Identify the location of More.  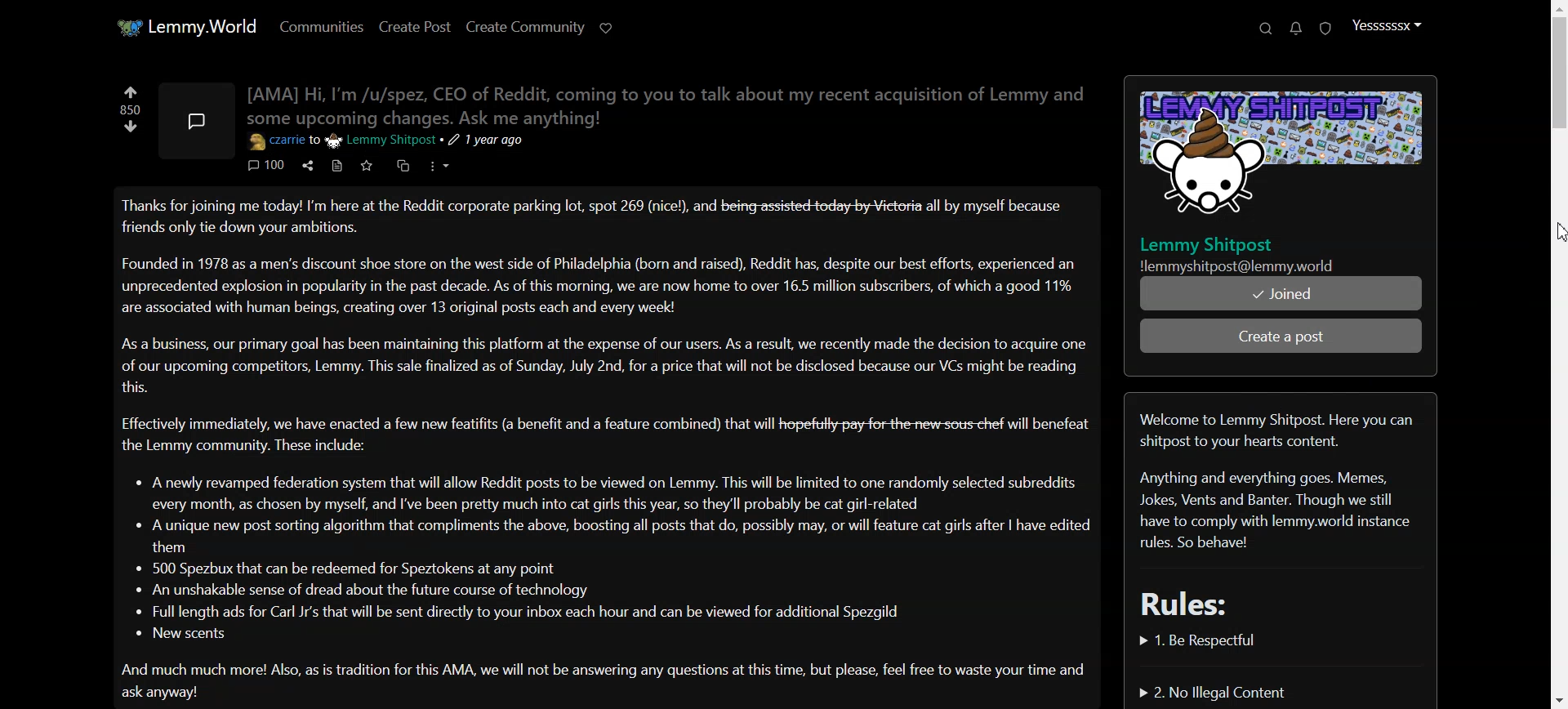
(438, 165).